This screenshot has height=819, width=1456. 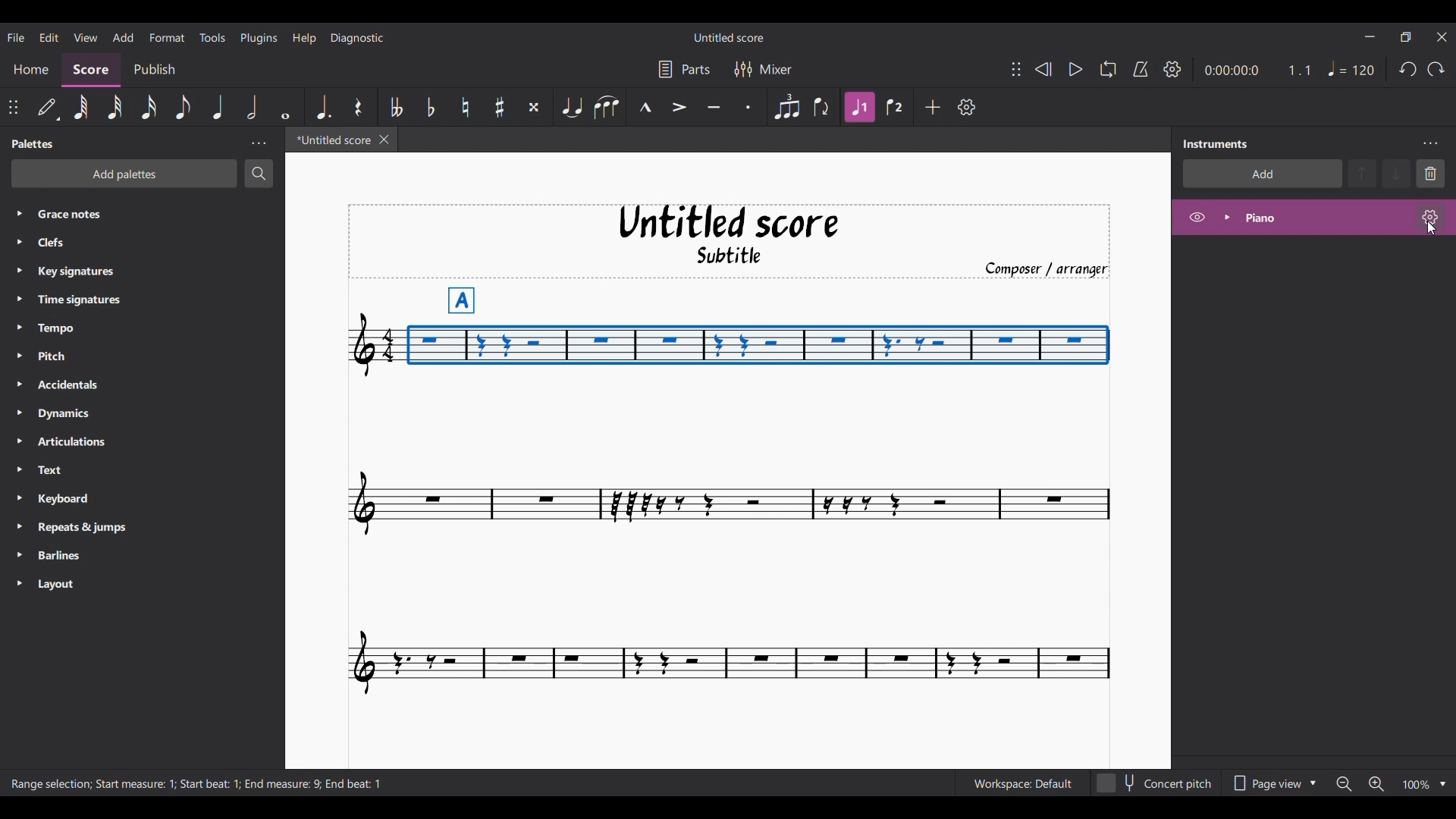 I want to click on File menu, so click(x=15, y=37).